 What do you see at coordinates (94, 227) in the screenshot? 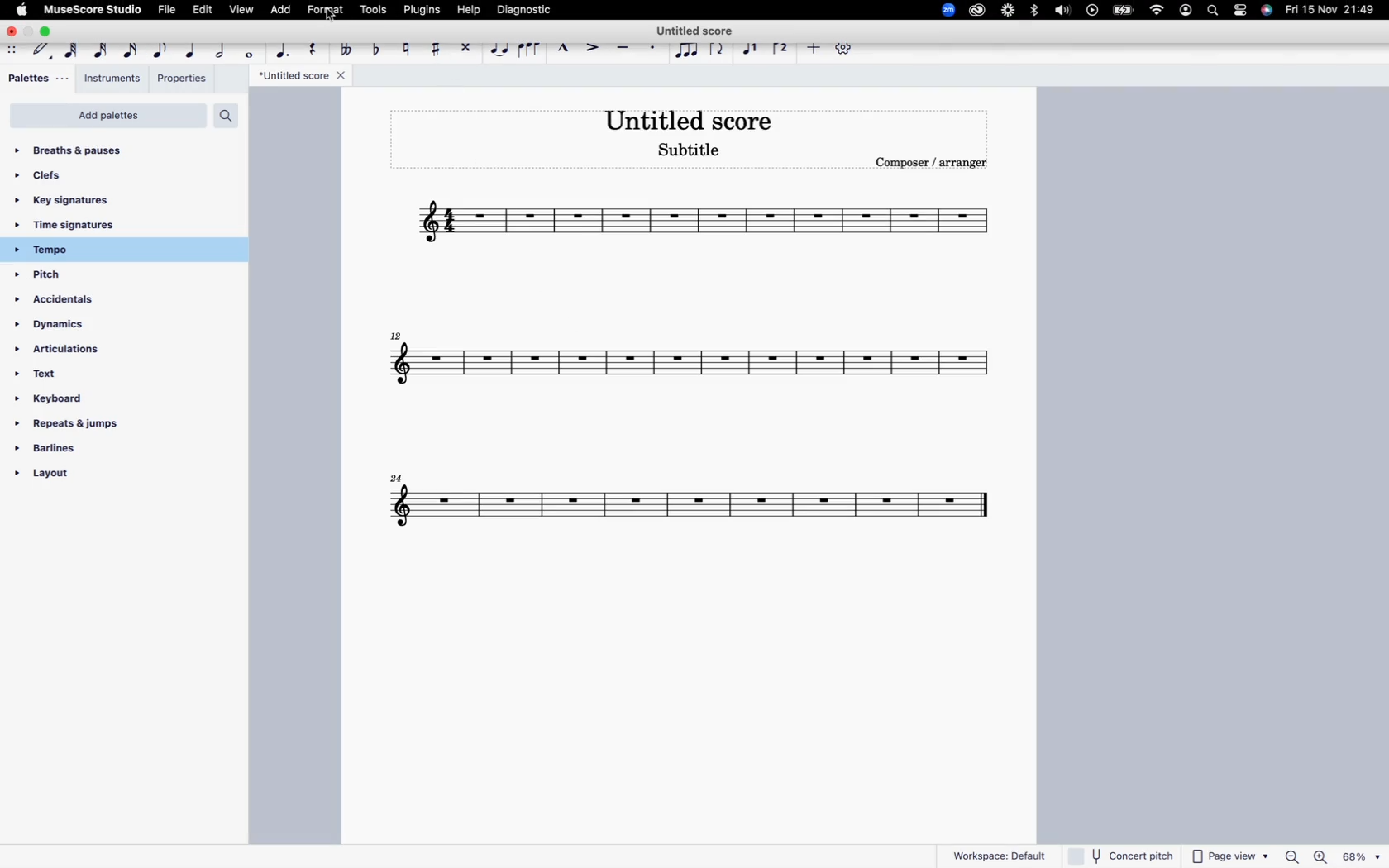
I see `time signatures` at bounding box center [94, 227].